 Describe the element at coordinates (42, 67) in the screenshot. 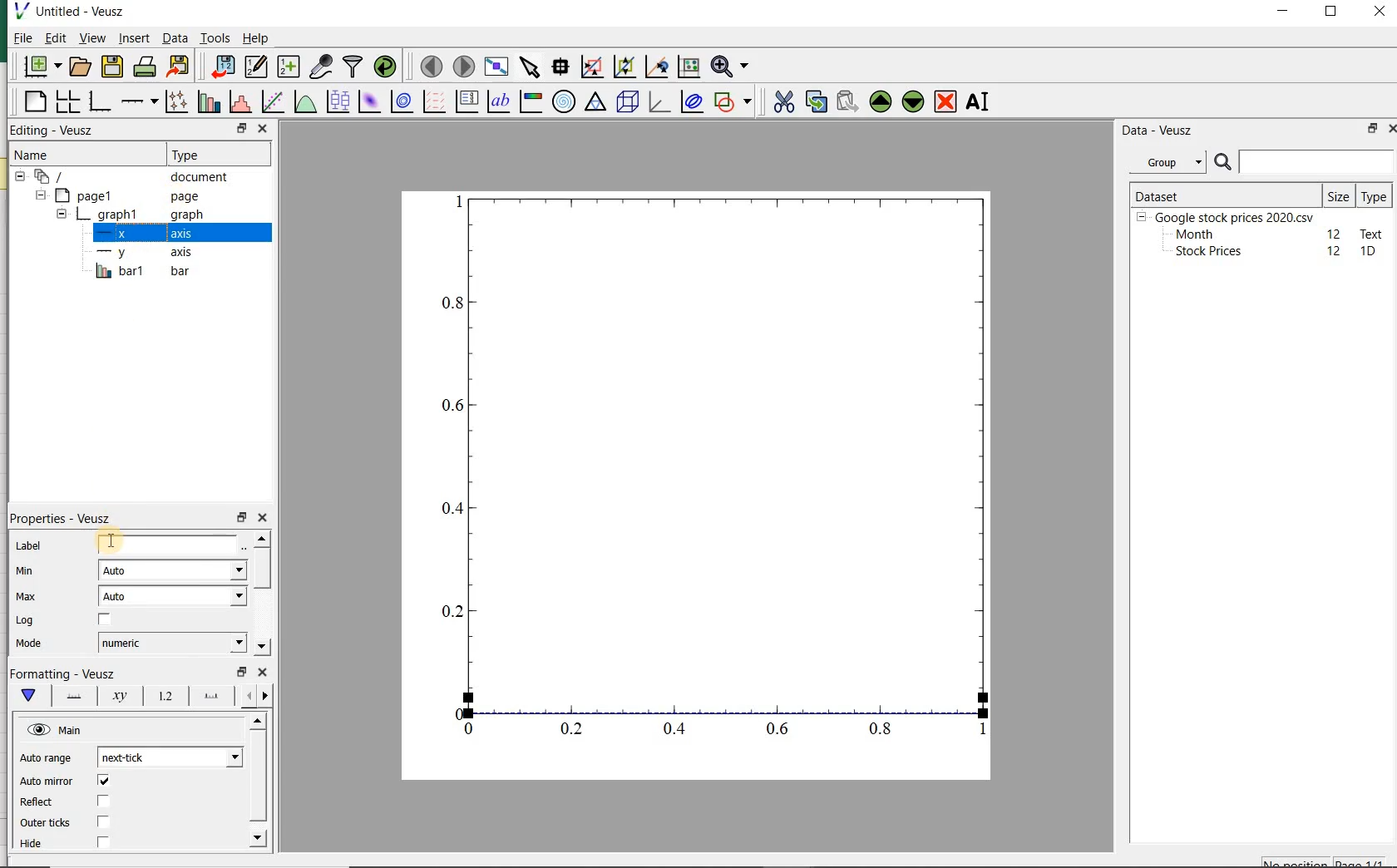

I see `new document` at that location.